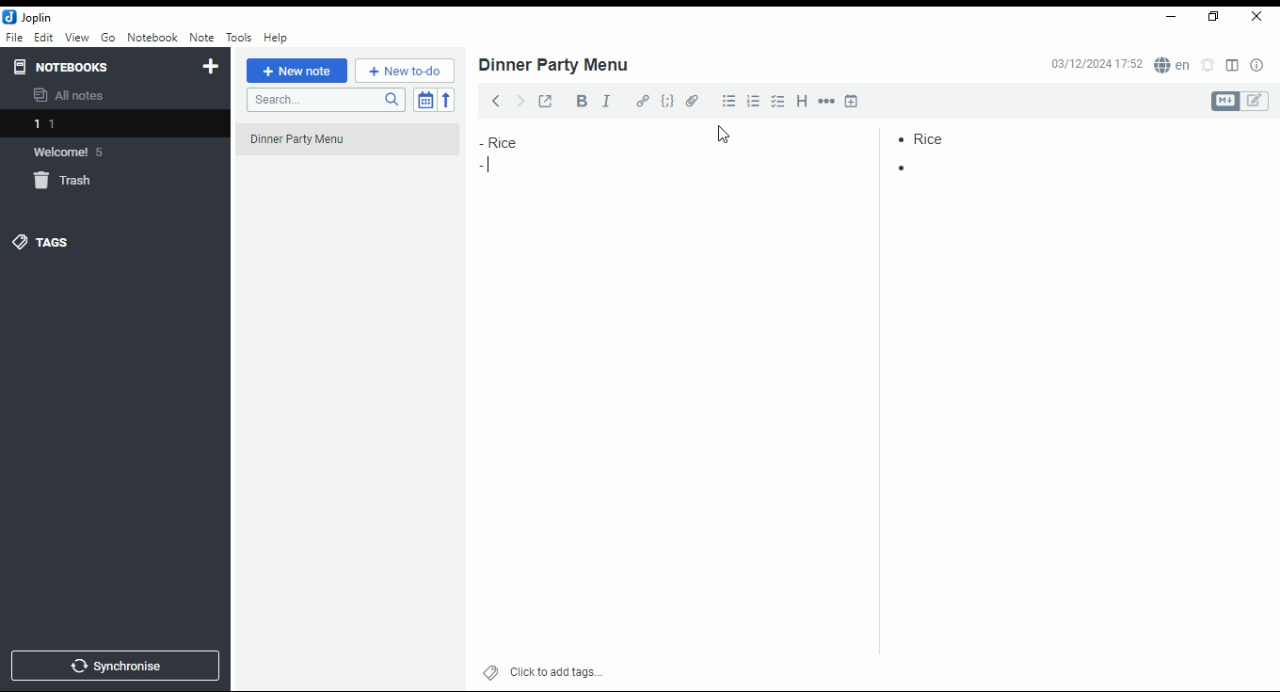  Describe the element at coordinates (1208, 65) in the screenshot. I see `set alarm` at that location.